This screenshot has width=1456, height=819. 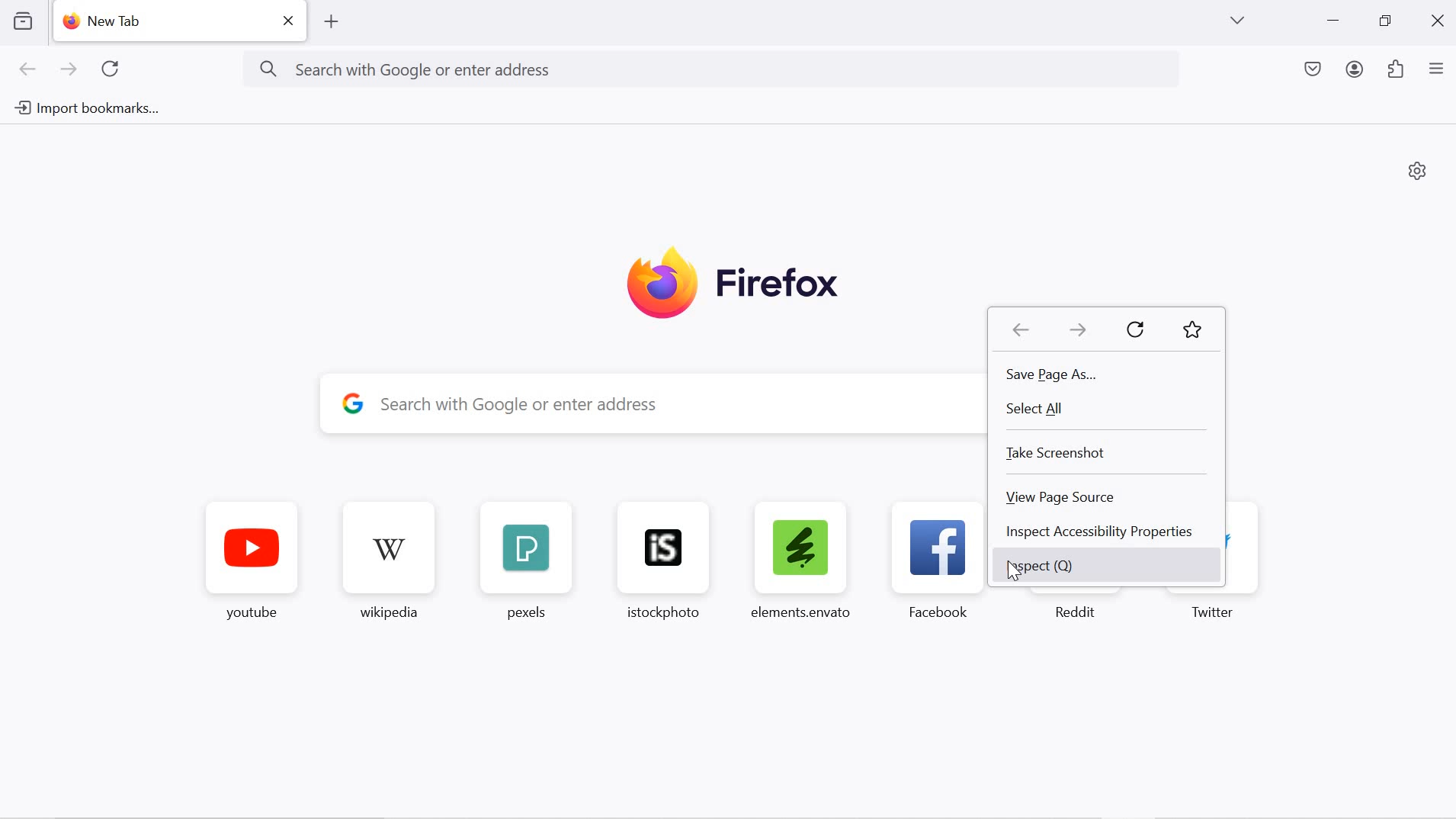 I want to click on NEW TAB, so click(x=160, y=24).